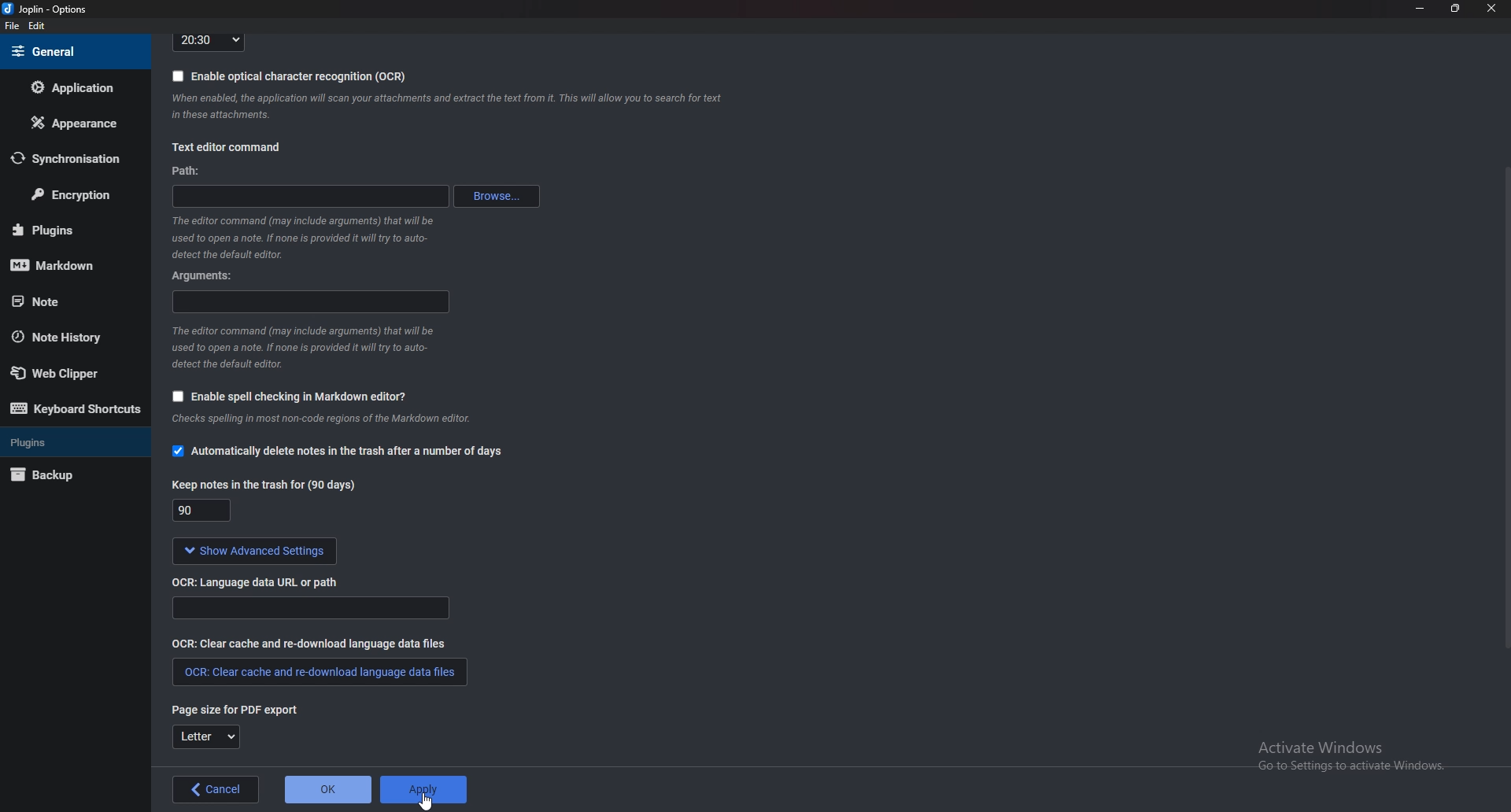  What do you see at coordinates (14, 26) in the screenshot?
I see `file` at bounding box center [14, 26].